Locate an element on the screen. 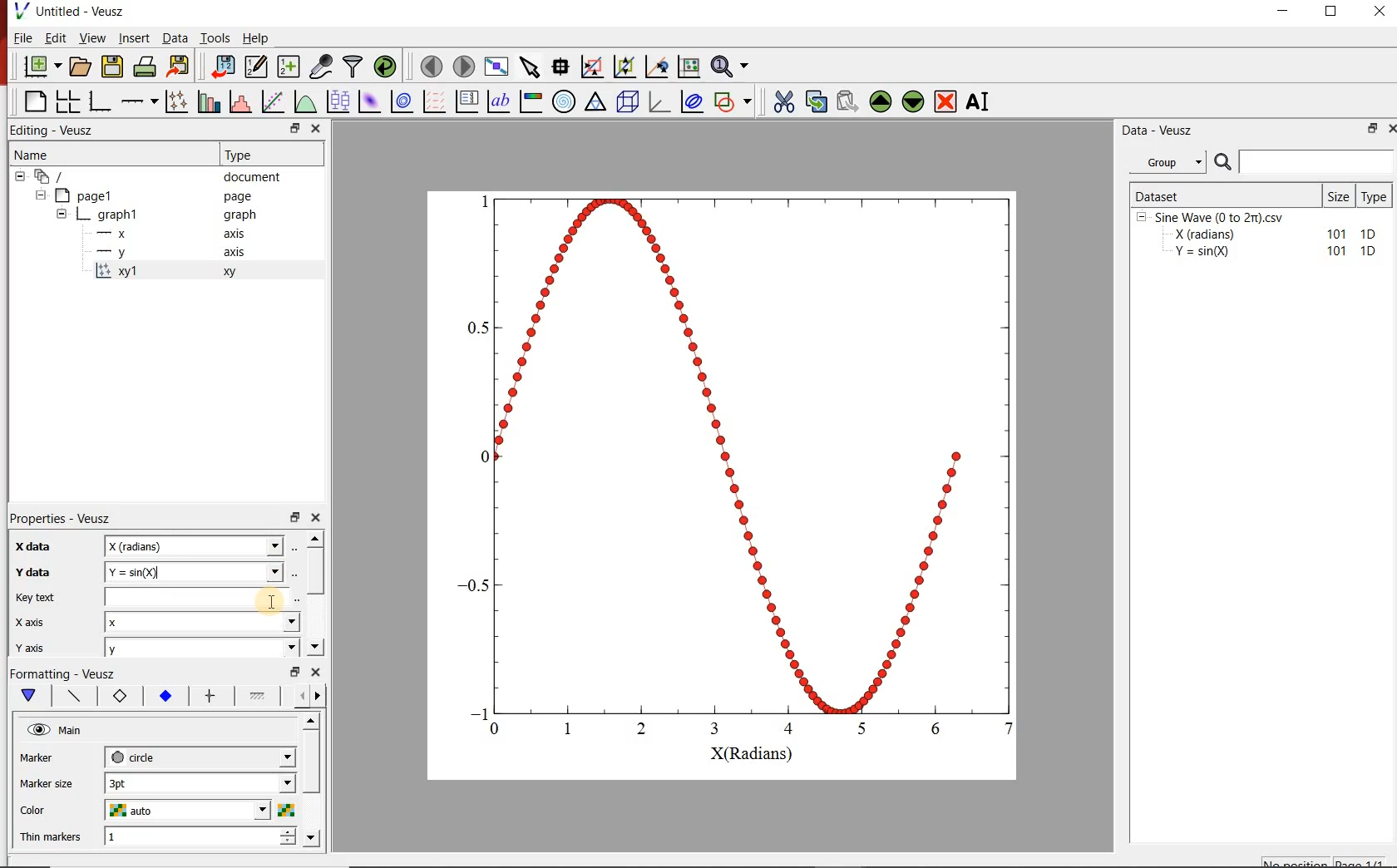 This screenshot has height=868, width=1397. reload linked datasets is located at coordinates (388, 67).